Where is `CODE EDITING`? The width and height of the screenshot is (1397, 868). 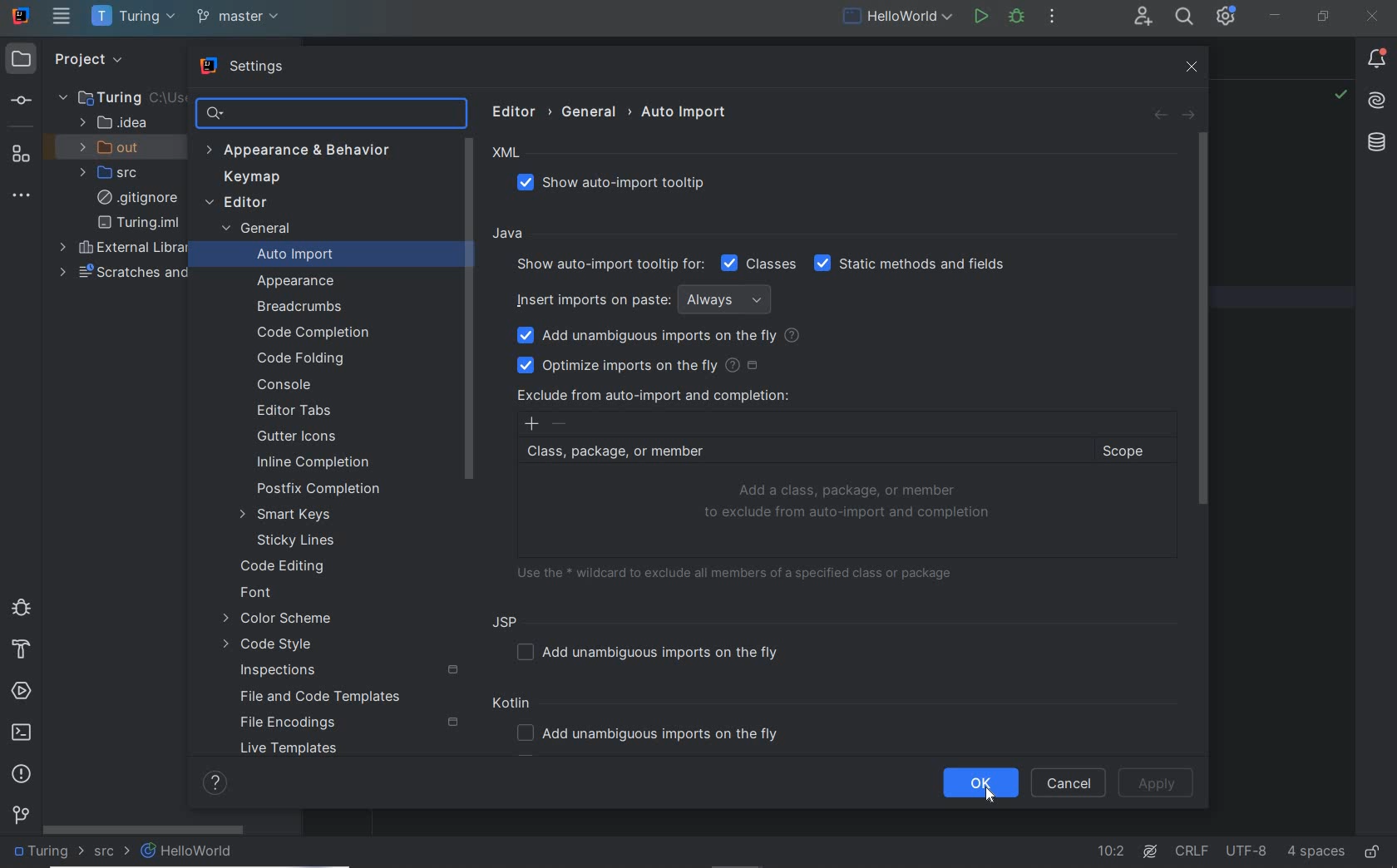
CODE EDITING is located at coordinates (284, 565).